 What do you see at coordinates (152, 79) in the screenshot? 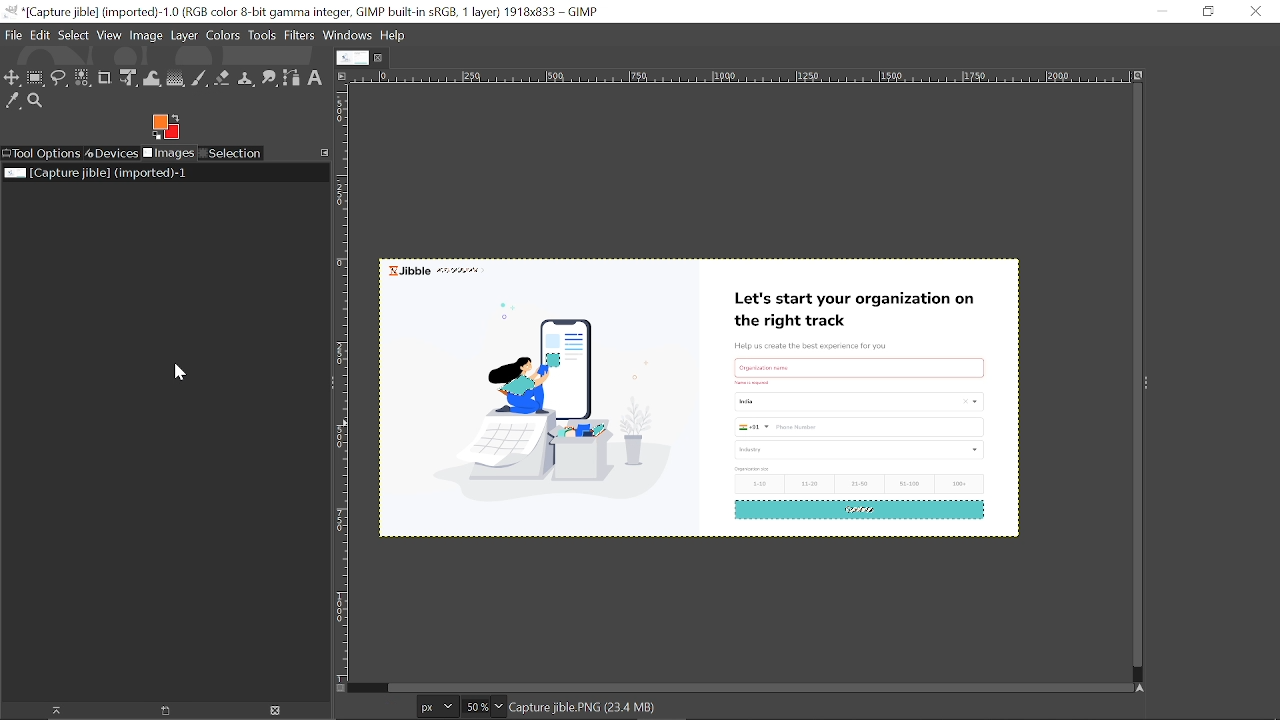
I see `Wrap text tool` at bounding box center [152, 79].